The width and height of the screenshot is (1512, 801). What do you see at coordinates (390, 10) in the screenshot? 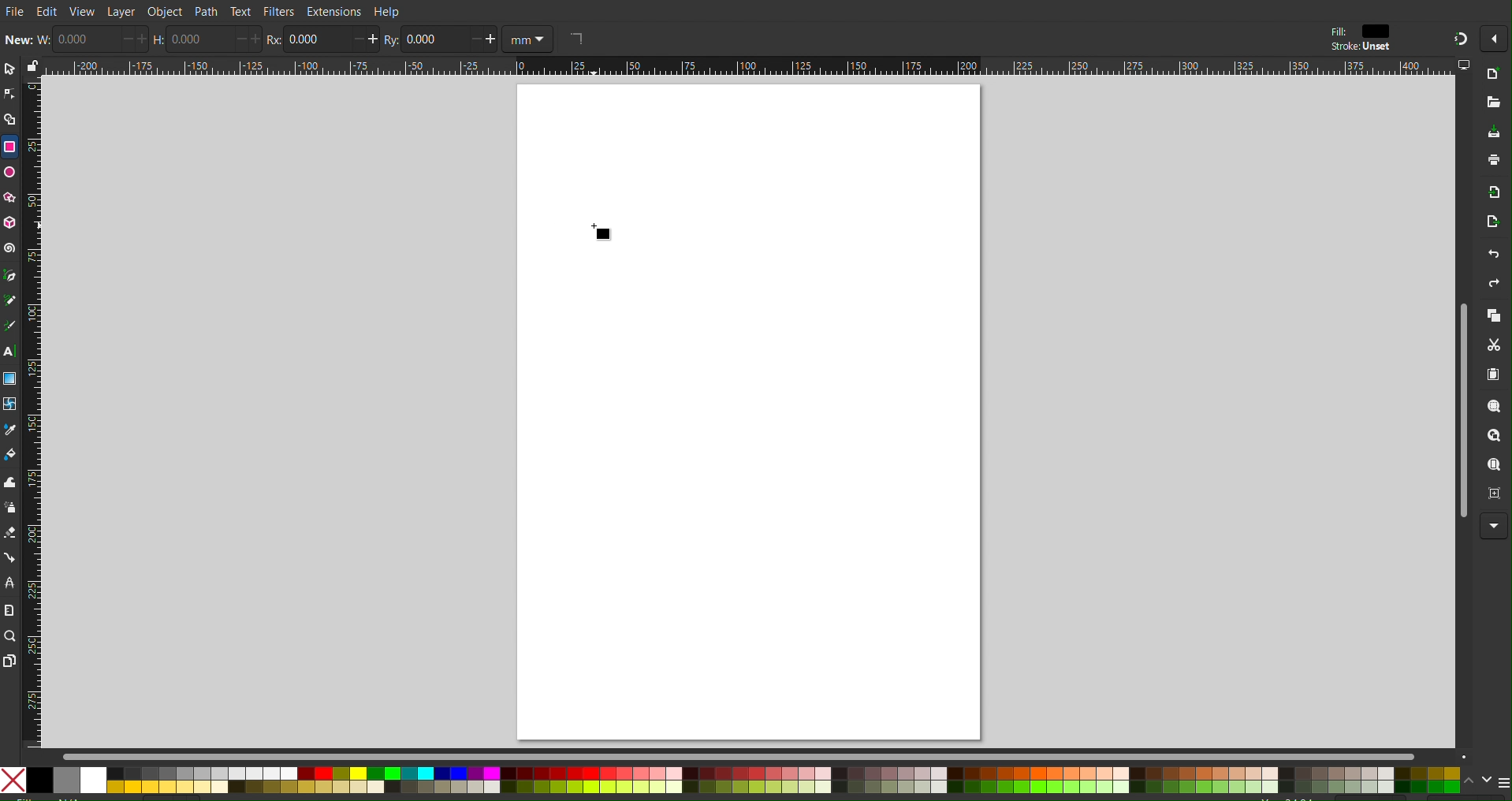
I see `Help` at bounding box center [390, 10].